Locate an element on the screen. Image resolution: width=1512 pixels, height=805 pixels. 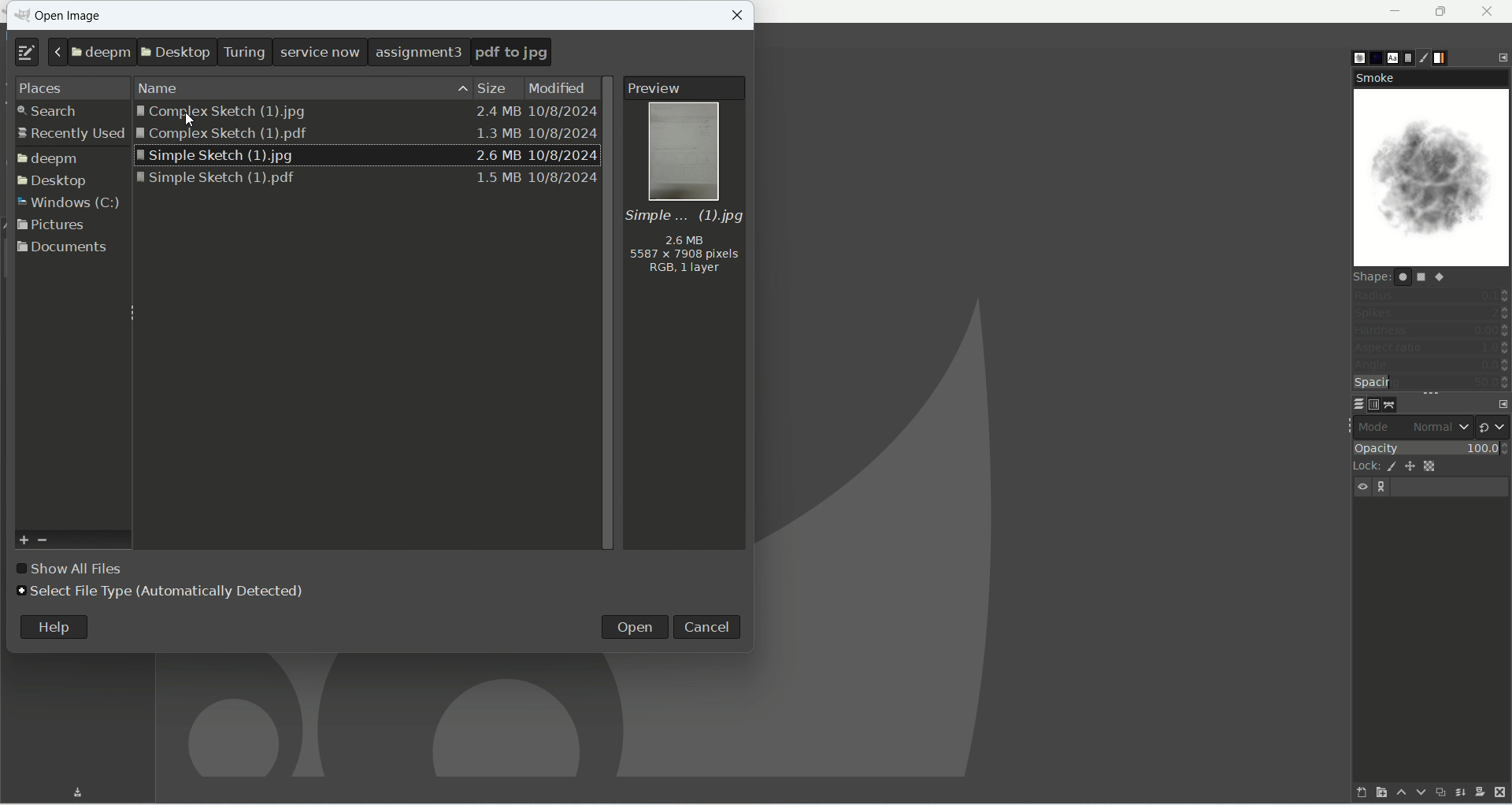
lock pixels is located at coordinates (1390, 467).